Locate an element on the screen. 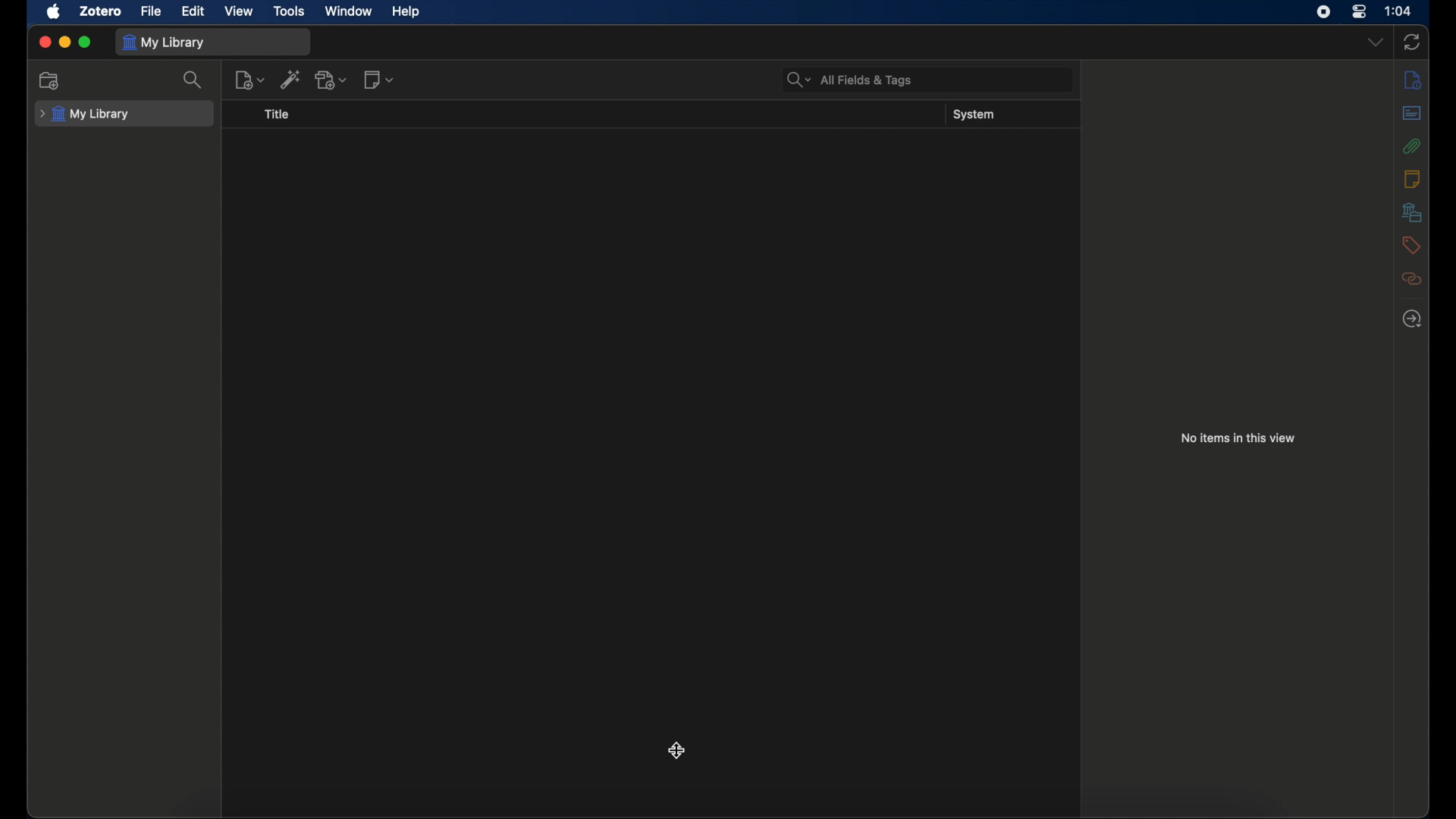 This screenshot has width=1456, height=819. help is located at coordinates (406, 12).